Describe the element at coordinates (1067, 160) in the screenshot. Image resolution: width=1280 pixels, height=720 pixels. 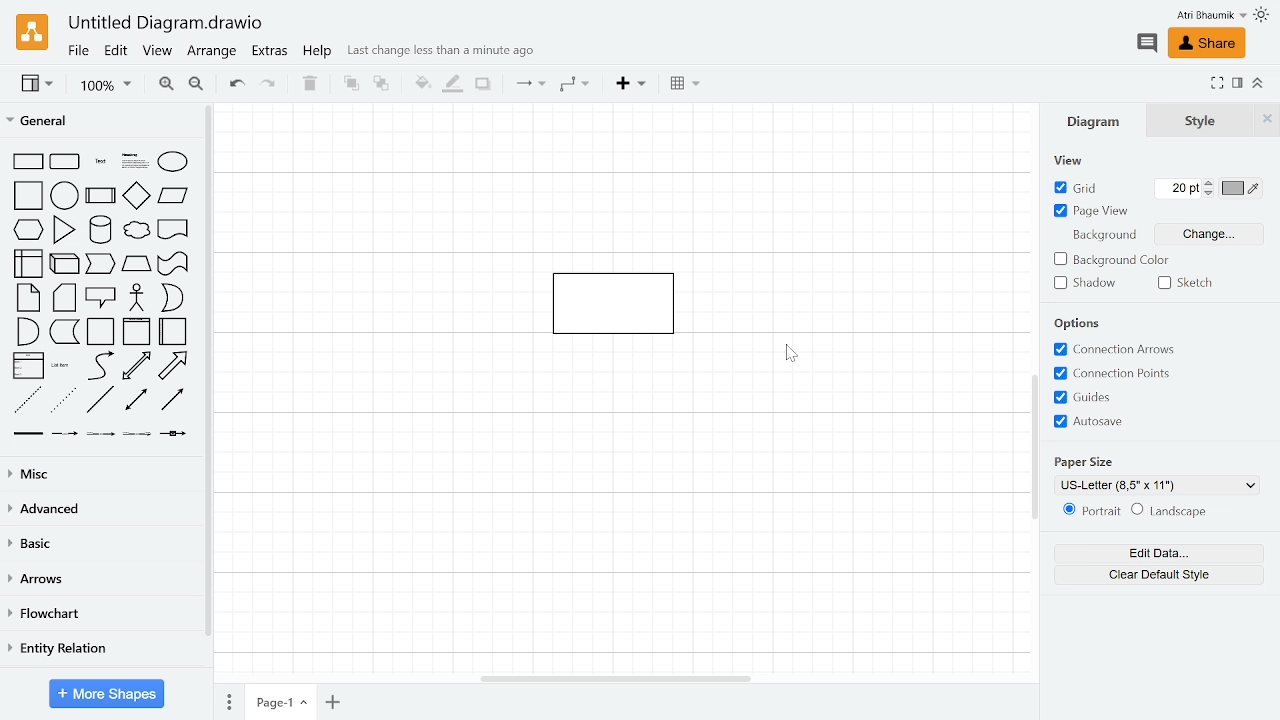
I see `view` at that location.